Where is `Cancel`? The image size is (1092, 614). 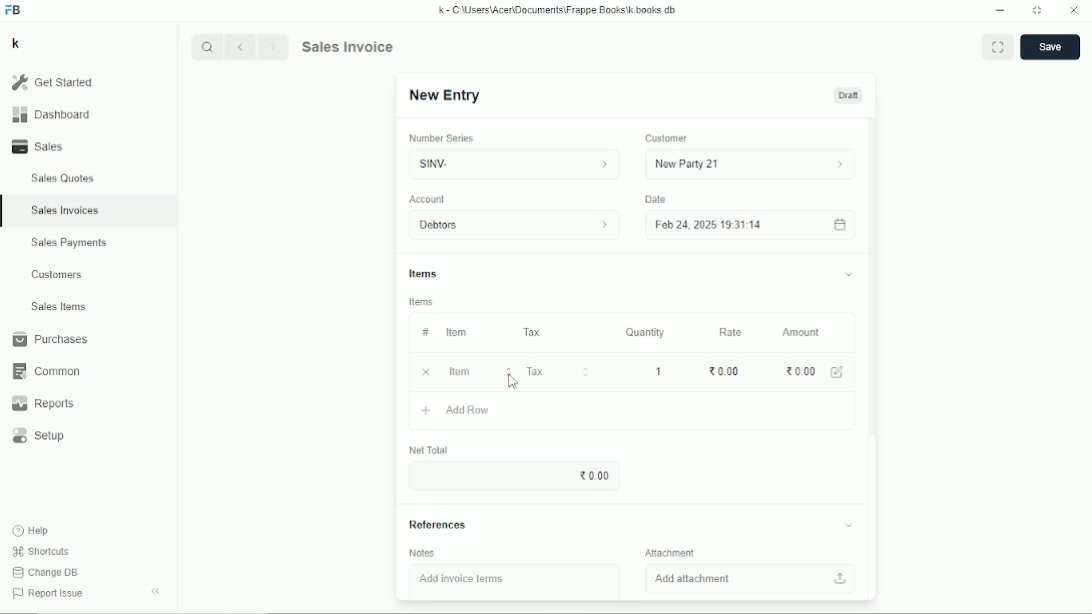 Cancel is located at coordinates (427, 372).